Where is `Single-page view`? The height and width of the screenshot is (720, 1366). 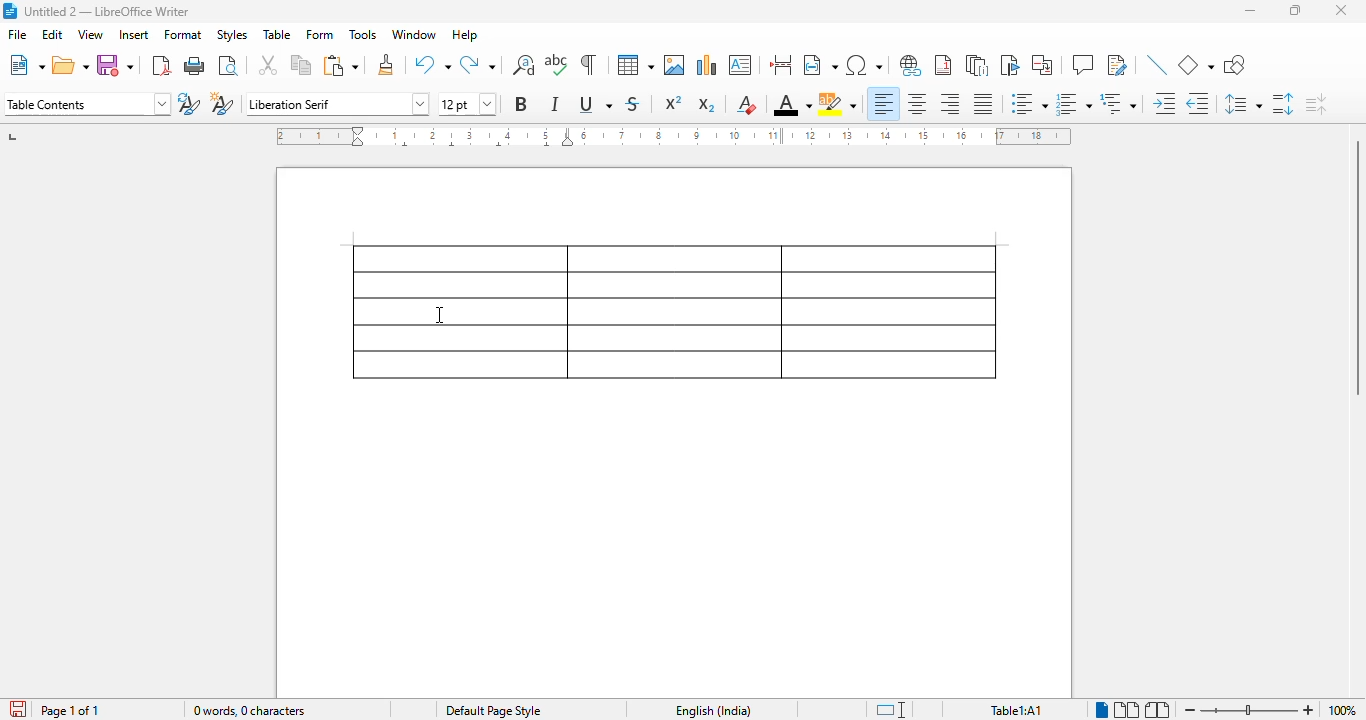 Single-page view is located at coordinates (1102, 710).